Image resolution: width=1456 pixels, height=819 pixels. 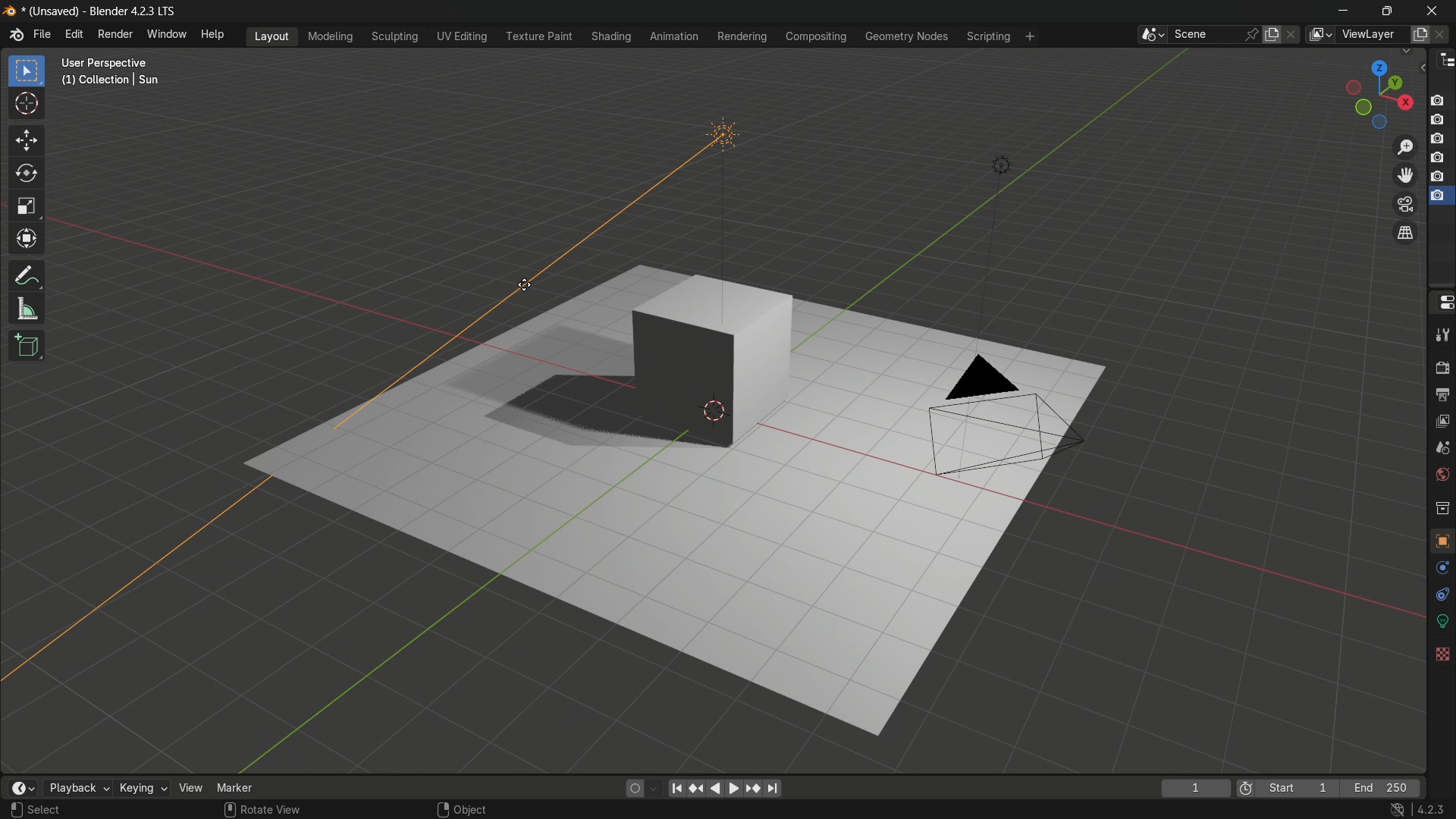 What do you see at coordinates (1299, 786) in the screenshot?
I see `start 1` at bounding box center [1299, 786].